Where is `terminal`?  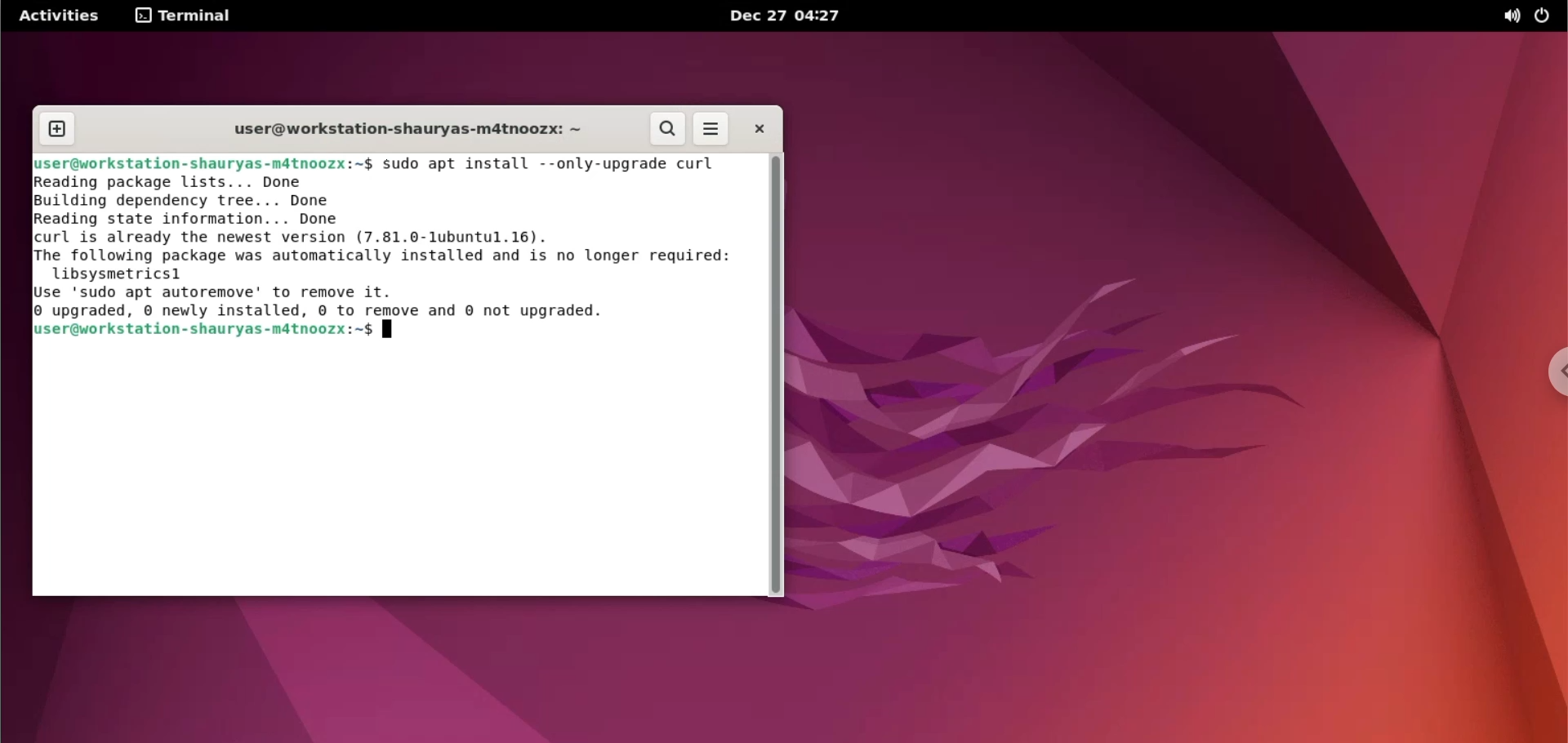
terminal is located at coordinates (184, 16).